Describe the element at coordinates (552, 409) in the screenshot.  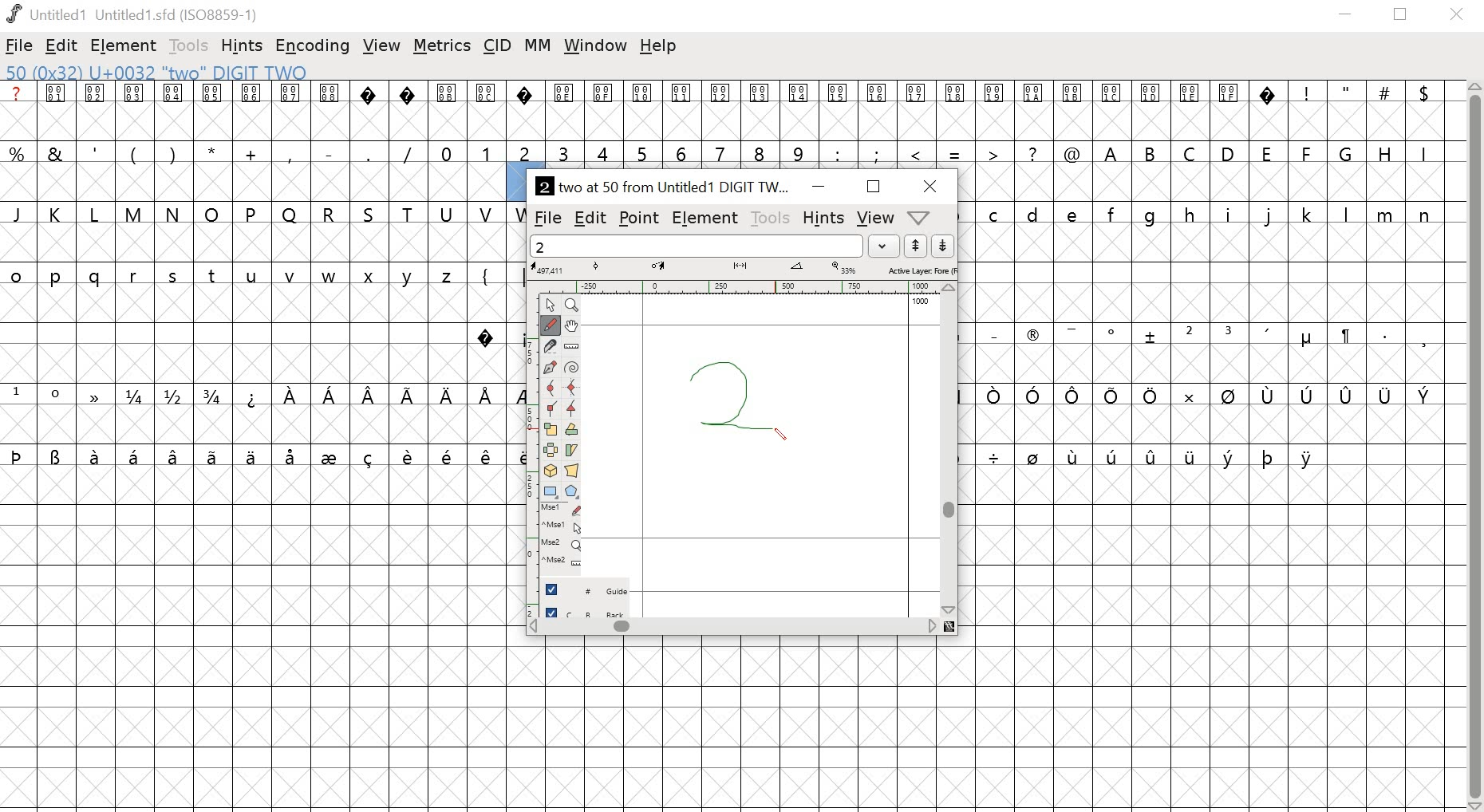
I see `corner` at that location.